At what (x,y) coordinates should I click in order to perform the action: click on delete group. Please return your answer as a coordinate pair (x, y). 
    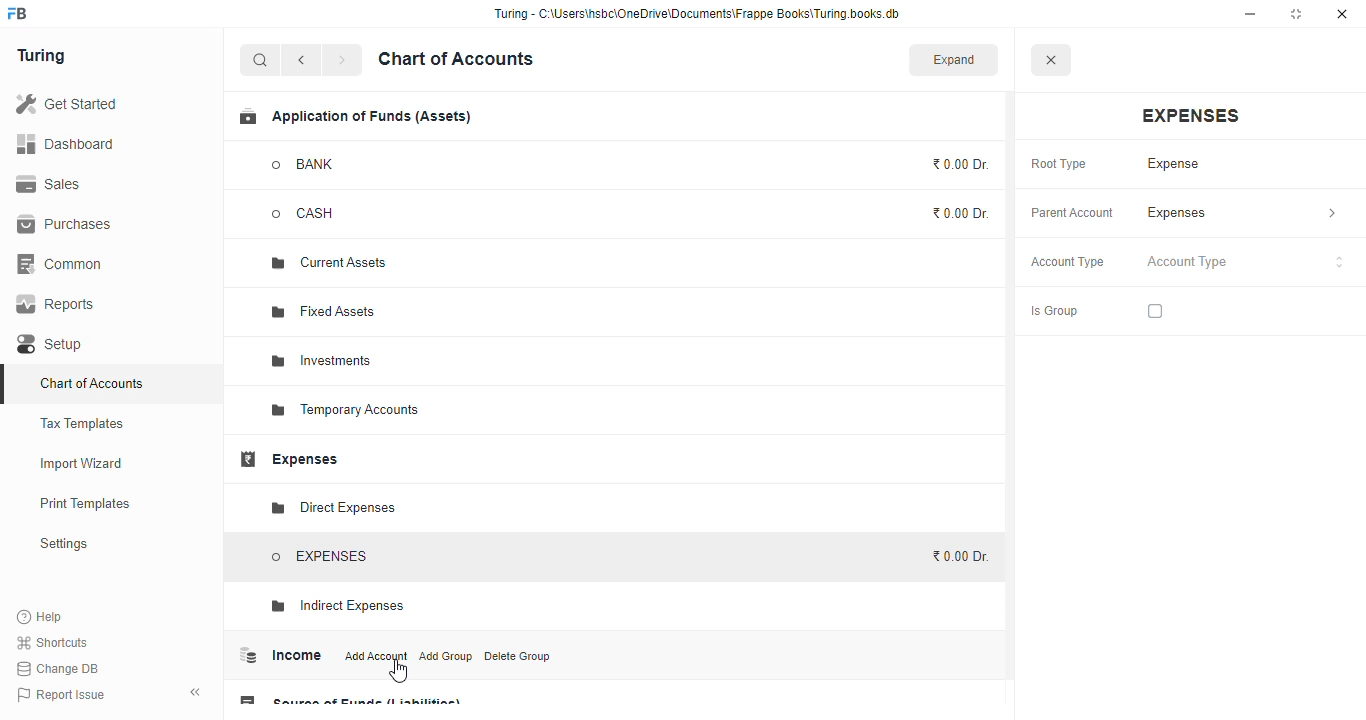
    Looking at the image, I should click on (519, 656).